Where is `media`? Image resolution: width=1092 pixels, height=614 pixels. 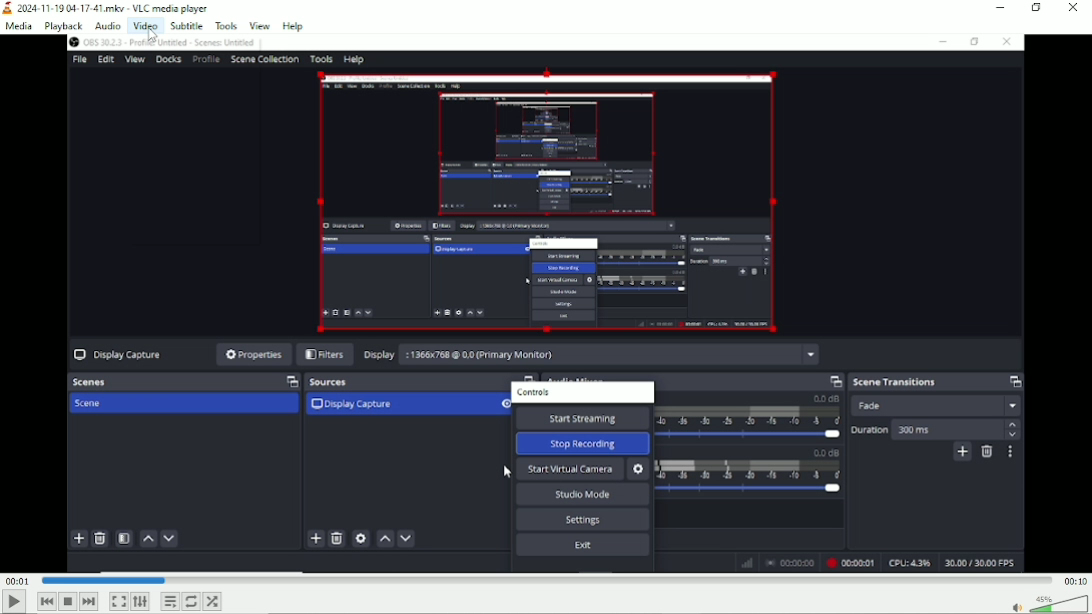 media is located at coordinates (21, 26).